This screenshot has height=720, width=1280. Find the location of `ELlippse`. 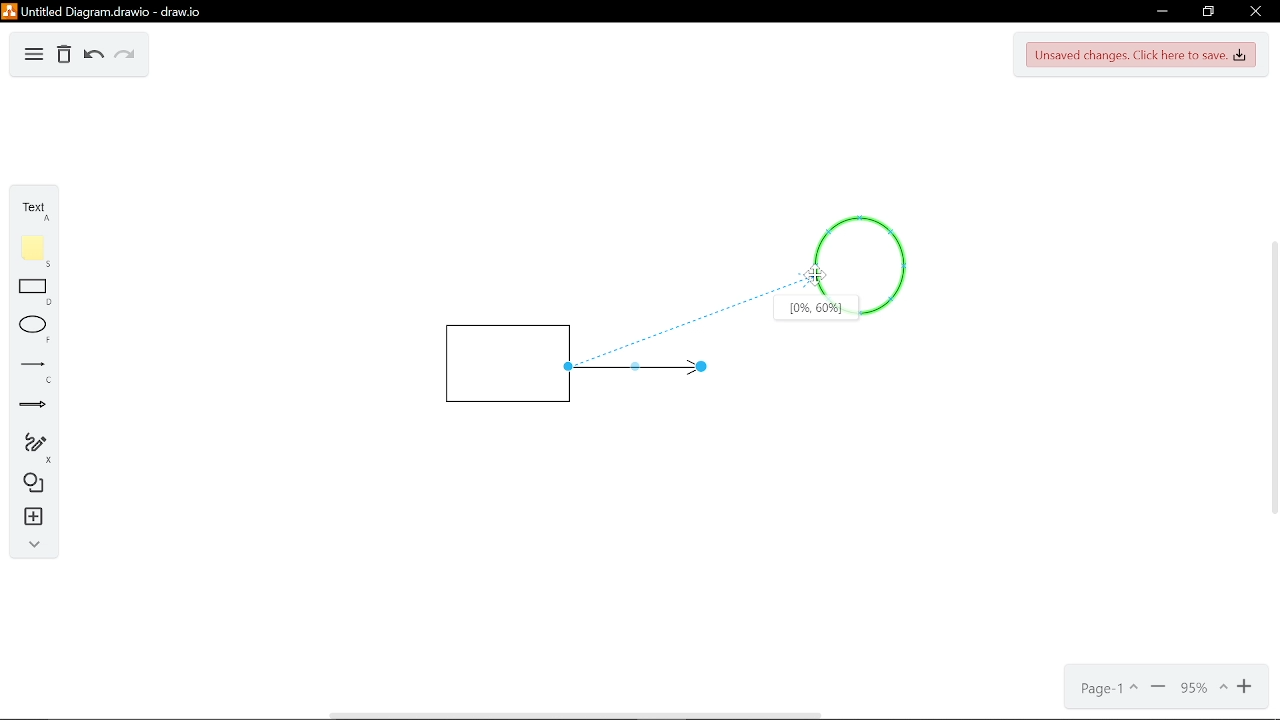

ELlippse is located at coordinates (31, 327).